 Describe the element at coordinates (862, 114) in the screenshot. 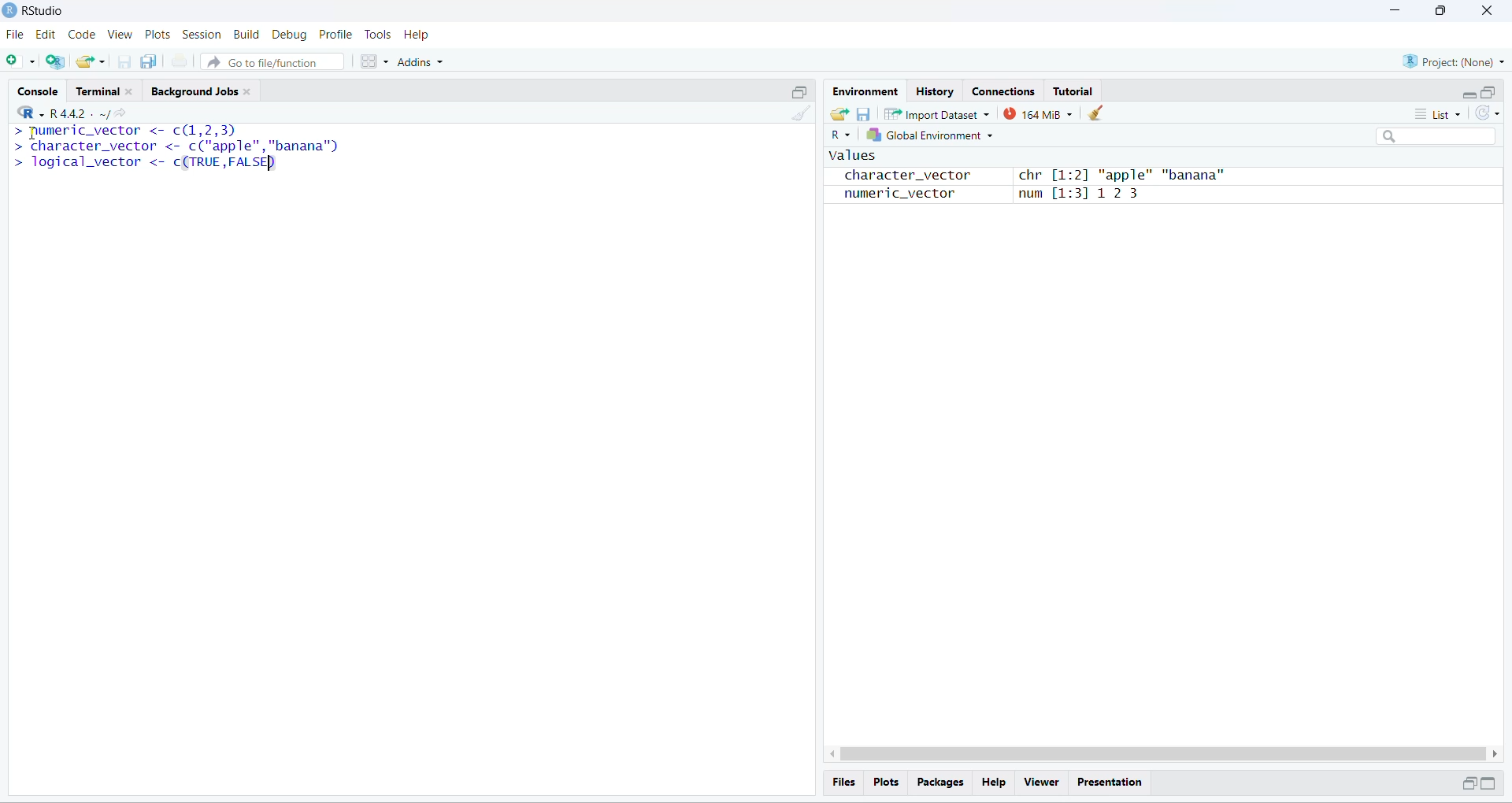

I see `save` at that location.